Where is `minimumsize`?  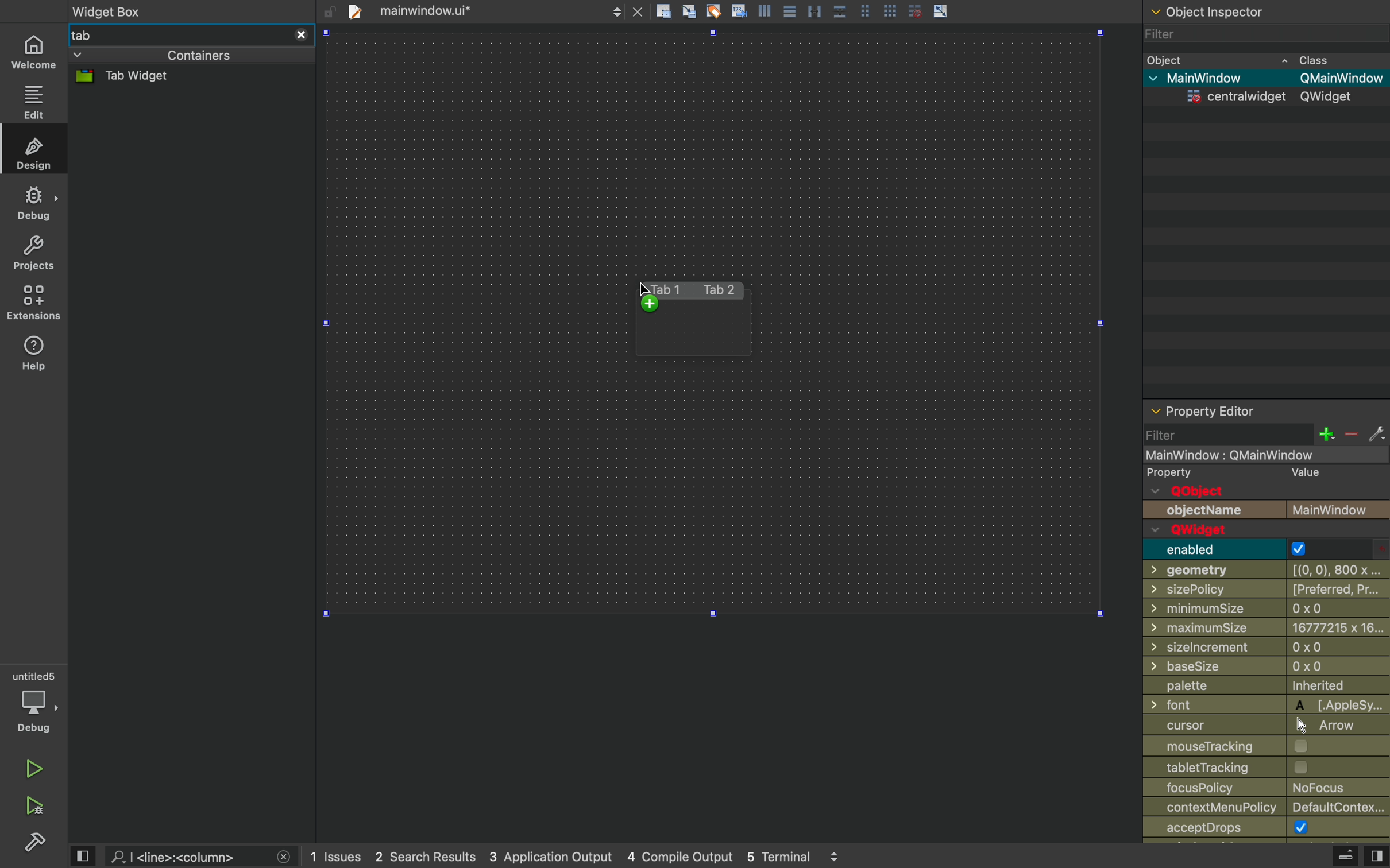 minimumsize is located at coordinates (1264, 610).